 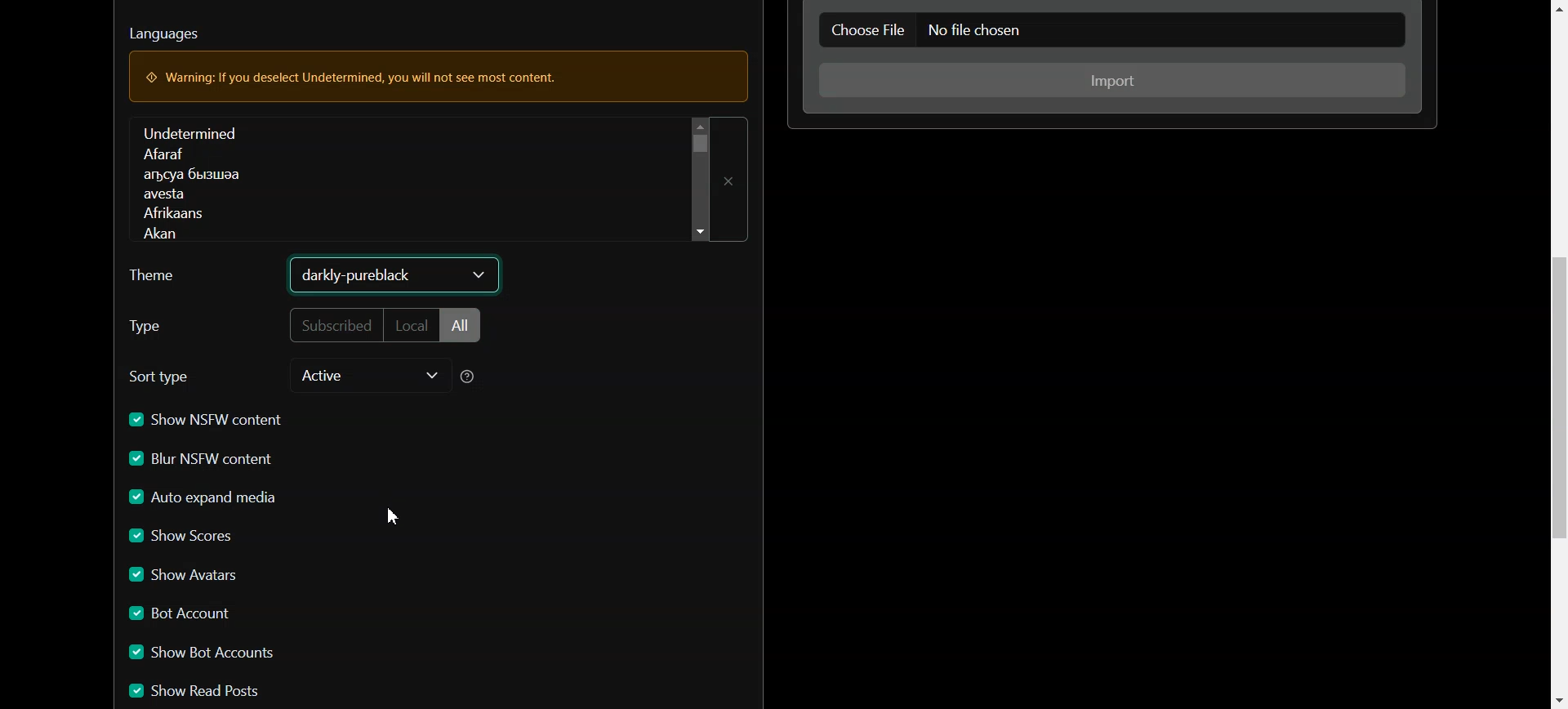 What do you see at coordinates (412, 328) in the screenshot?
I see `Local` at bounding box center [412, 328].